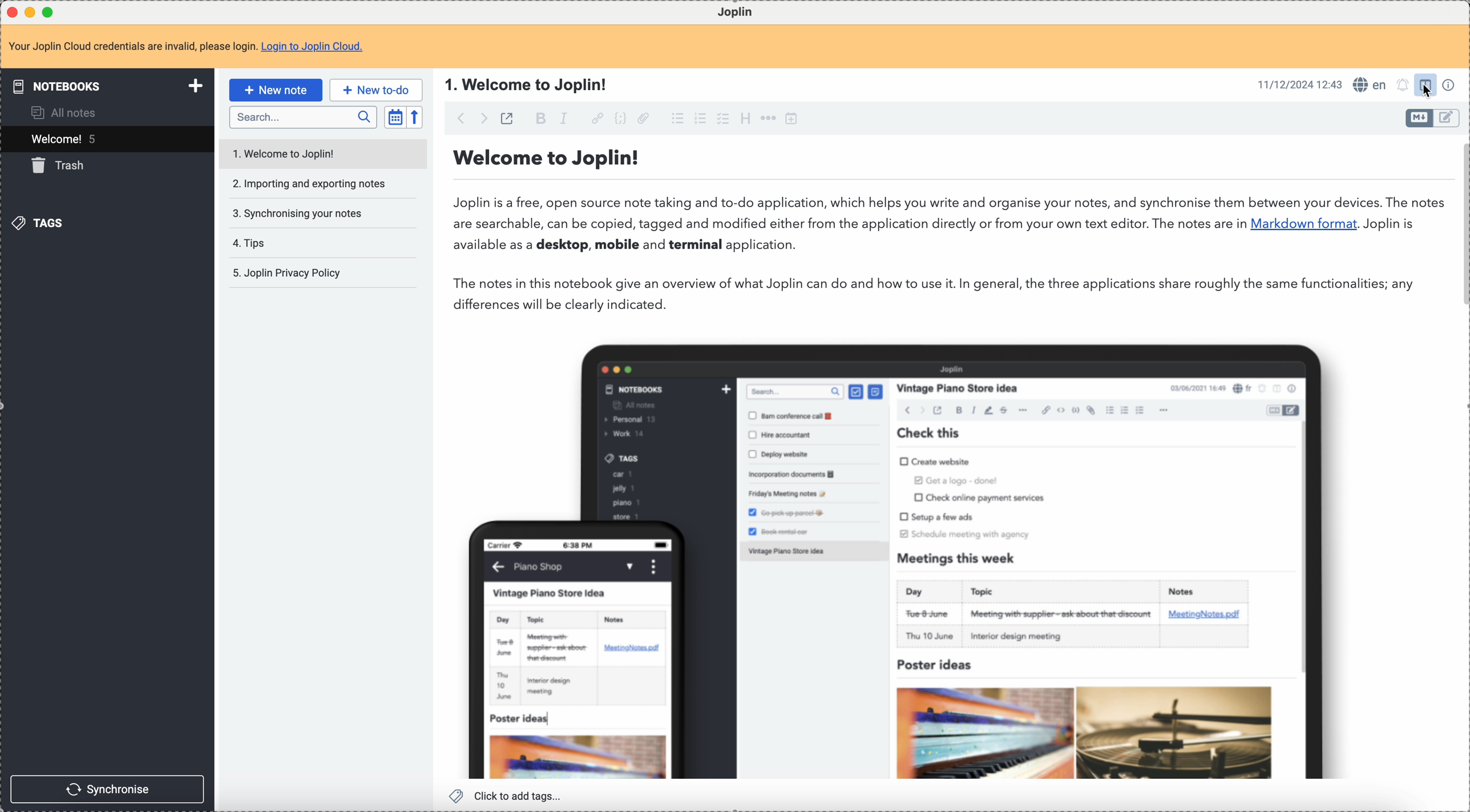  What do you see at coordinates (1388, 224) in the screenshot?
I see `Joplin is` at bounding box center [1388, 224].